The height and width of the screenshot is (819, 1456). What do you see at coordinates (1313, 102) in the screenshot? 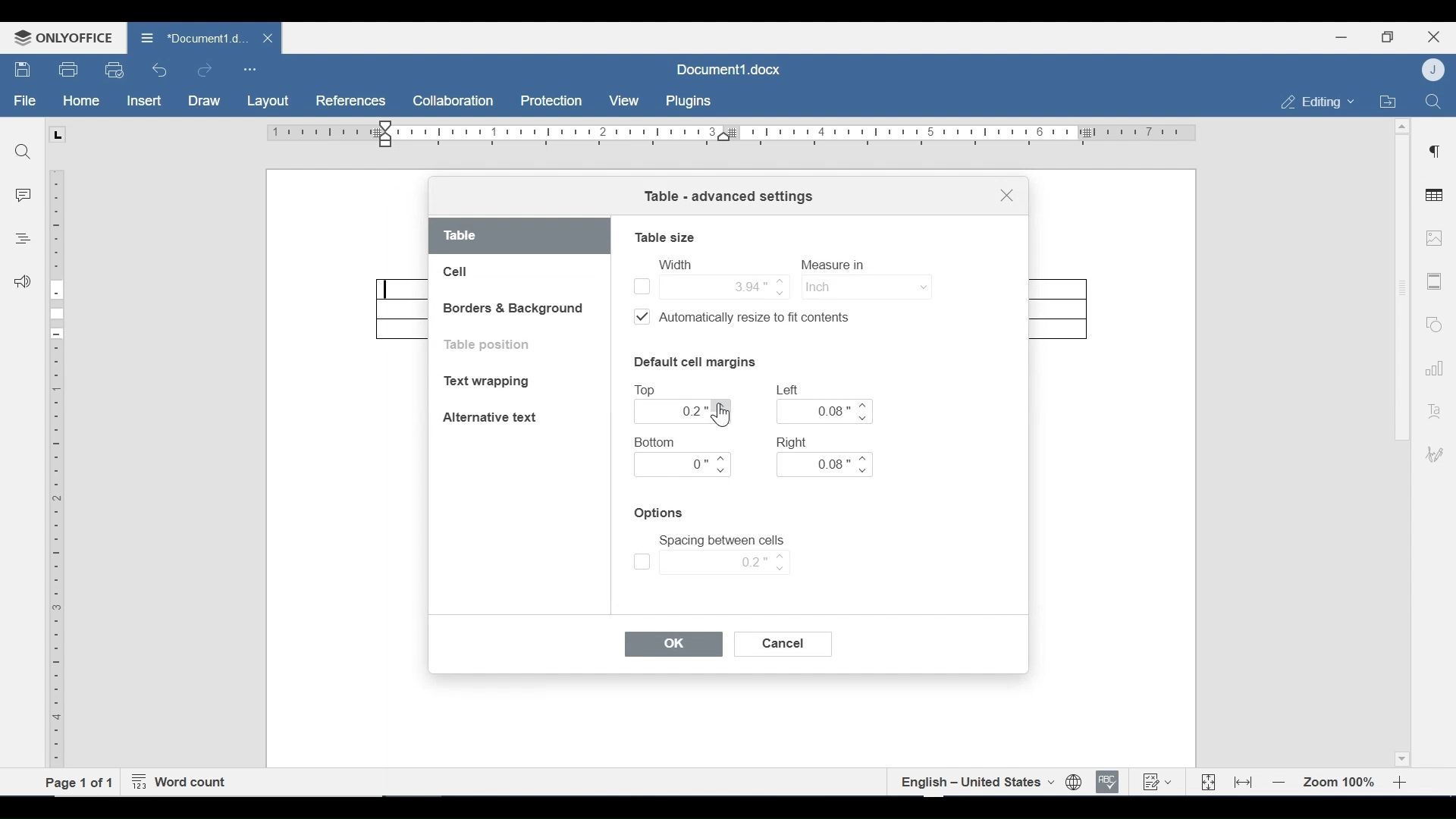
I see `Editing` at bounding box center [1313, 102].